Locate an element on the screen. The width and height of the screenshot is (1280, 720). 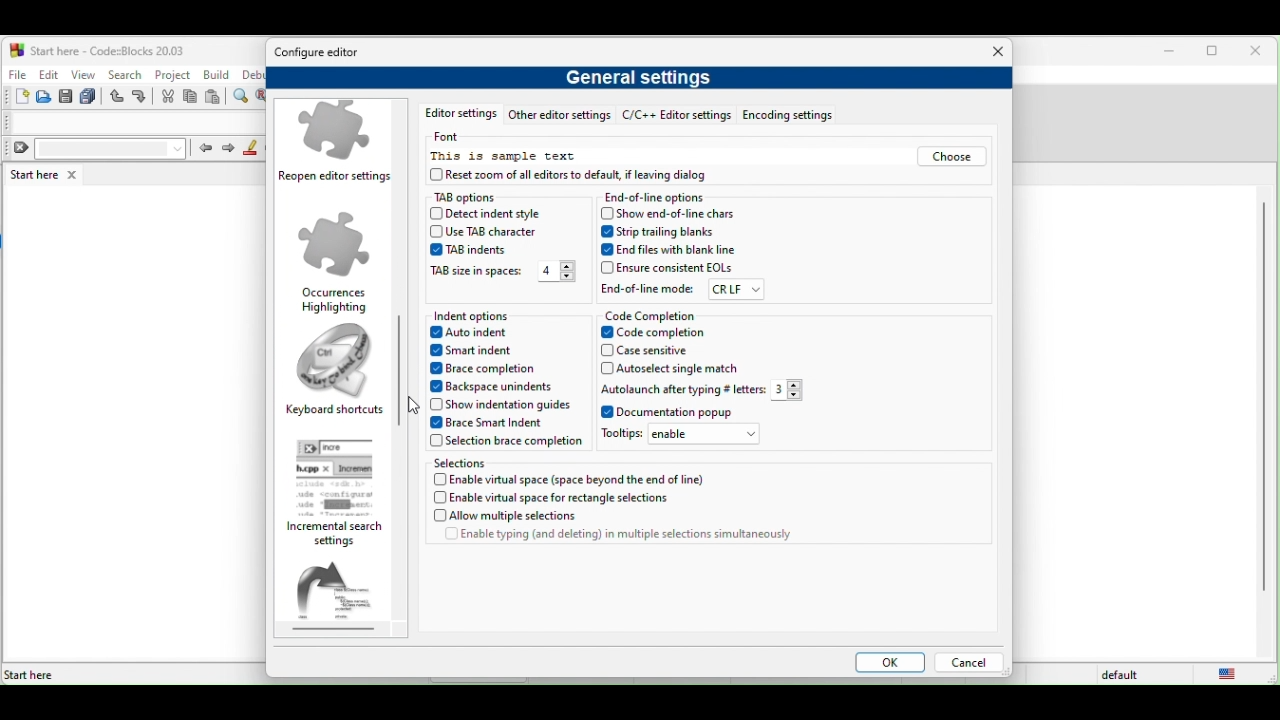
documentation popup is located at coordinates (671, 413).